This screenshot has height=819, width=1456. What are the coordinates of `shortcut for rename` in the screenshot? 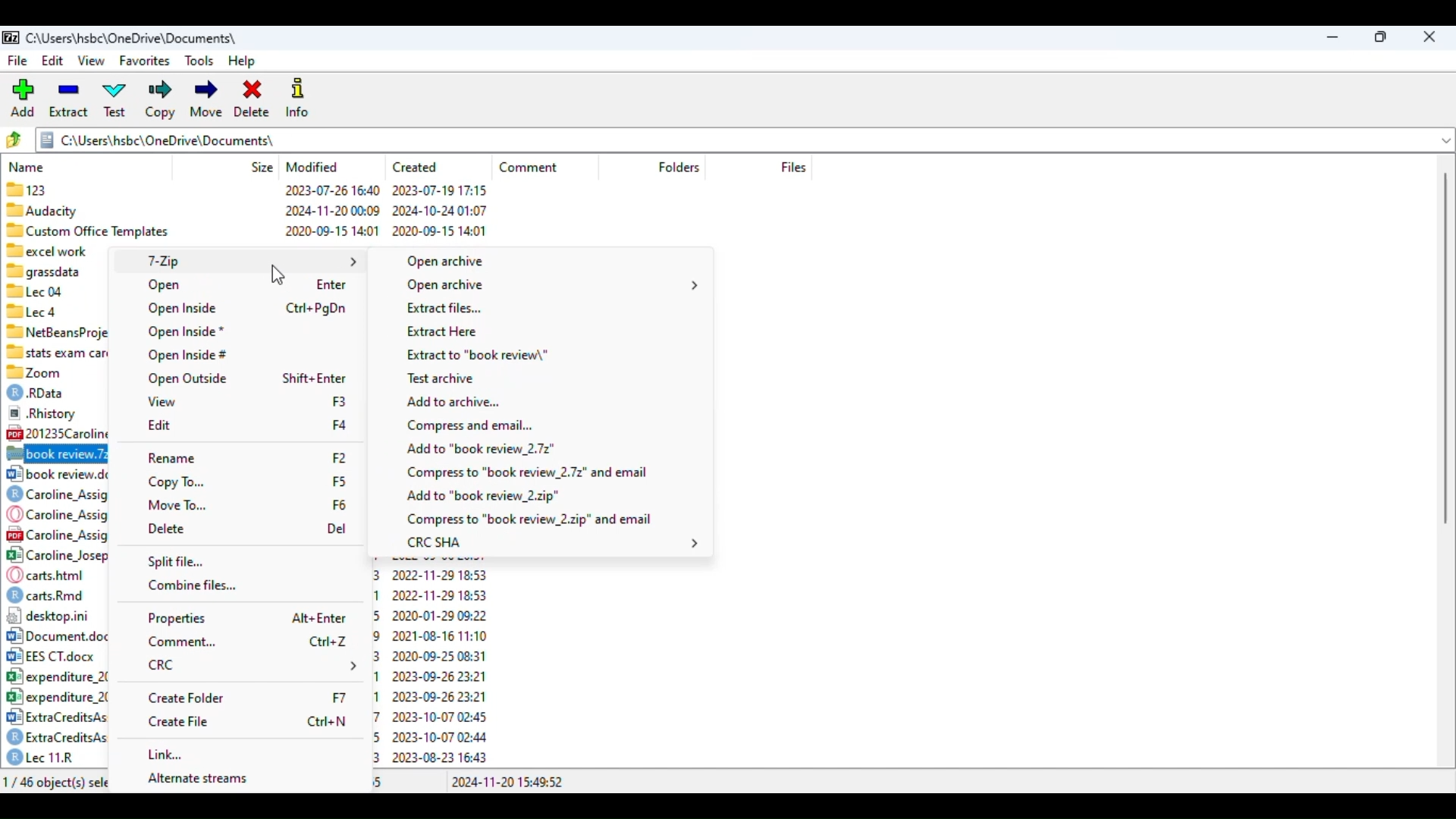 It's located at (338, 460).